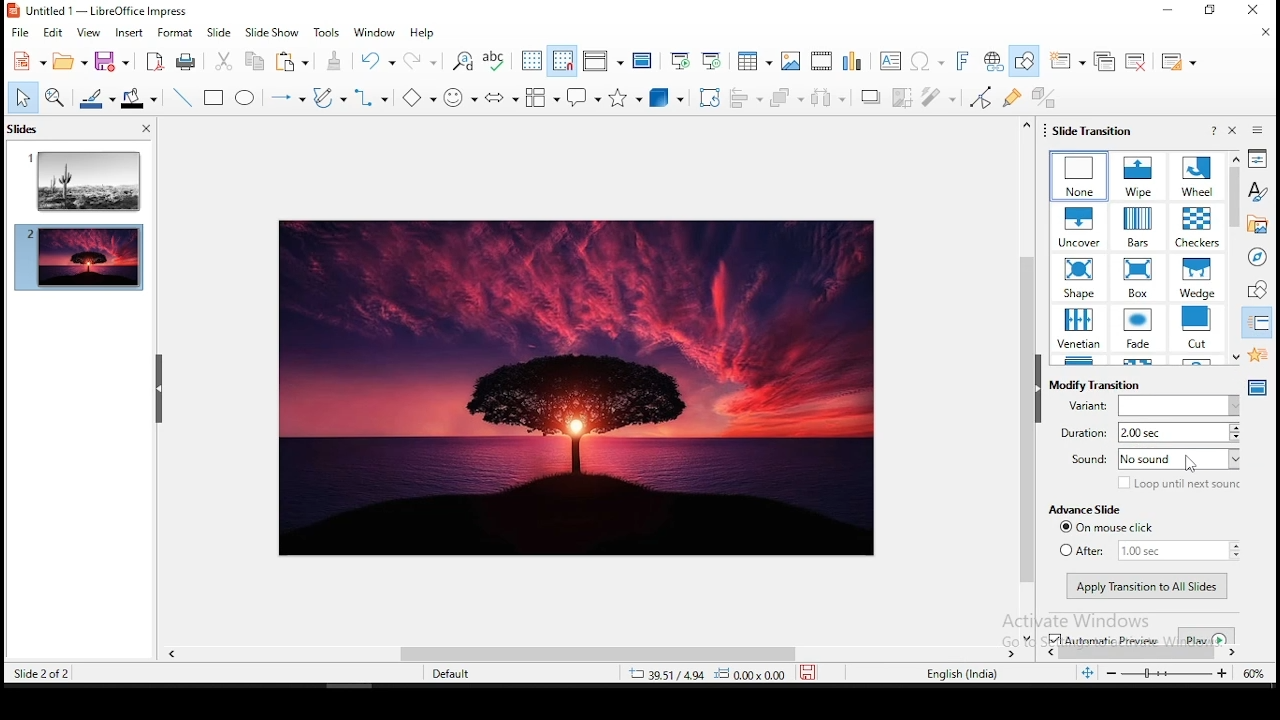  Describe the element at coordinates (1080, 277) in the screenshot. I see `transition effects` at that location.